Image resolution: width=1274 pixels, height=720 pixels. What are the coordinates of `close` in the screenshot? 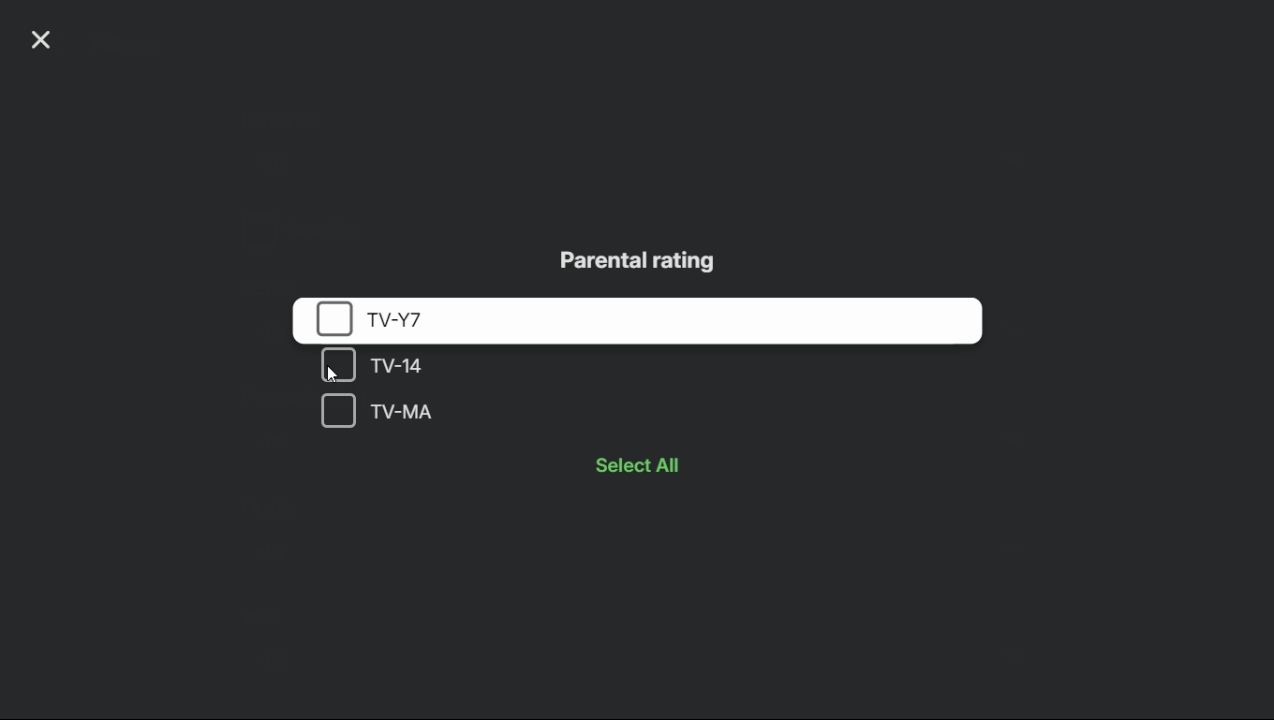 It's located at (40, 43).